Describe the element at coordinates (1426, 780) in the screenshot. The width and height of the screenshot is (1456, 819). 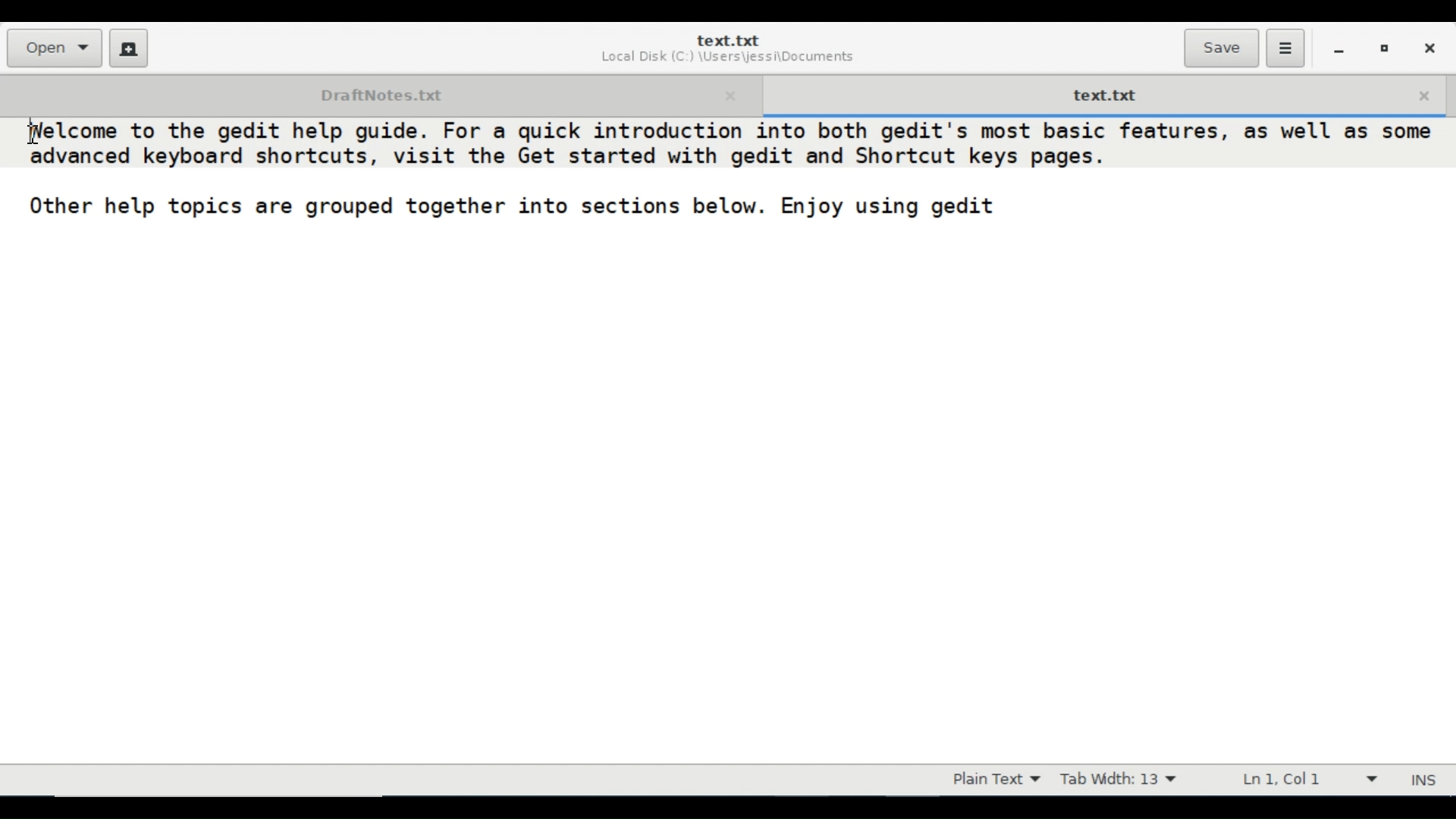
I see `Insert Mode` at that location.